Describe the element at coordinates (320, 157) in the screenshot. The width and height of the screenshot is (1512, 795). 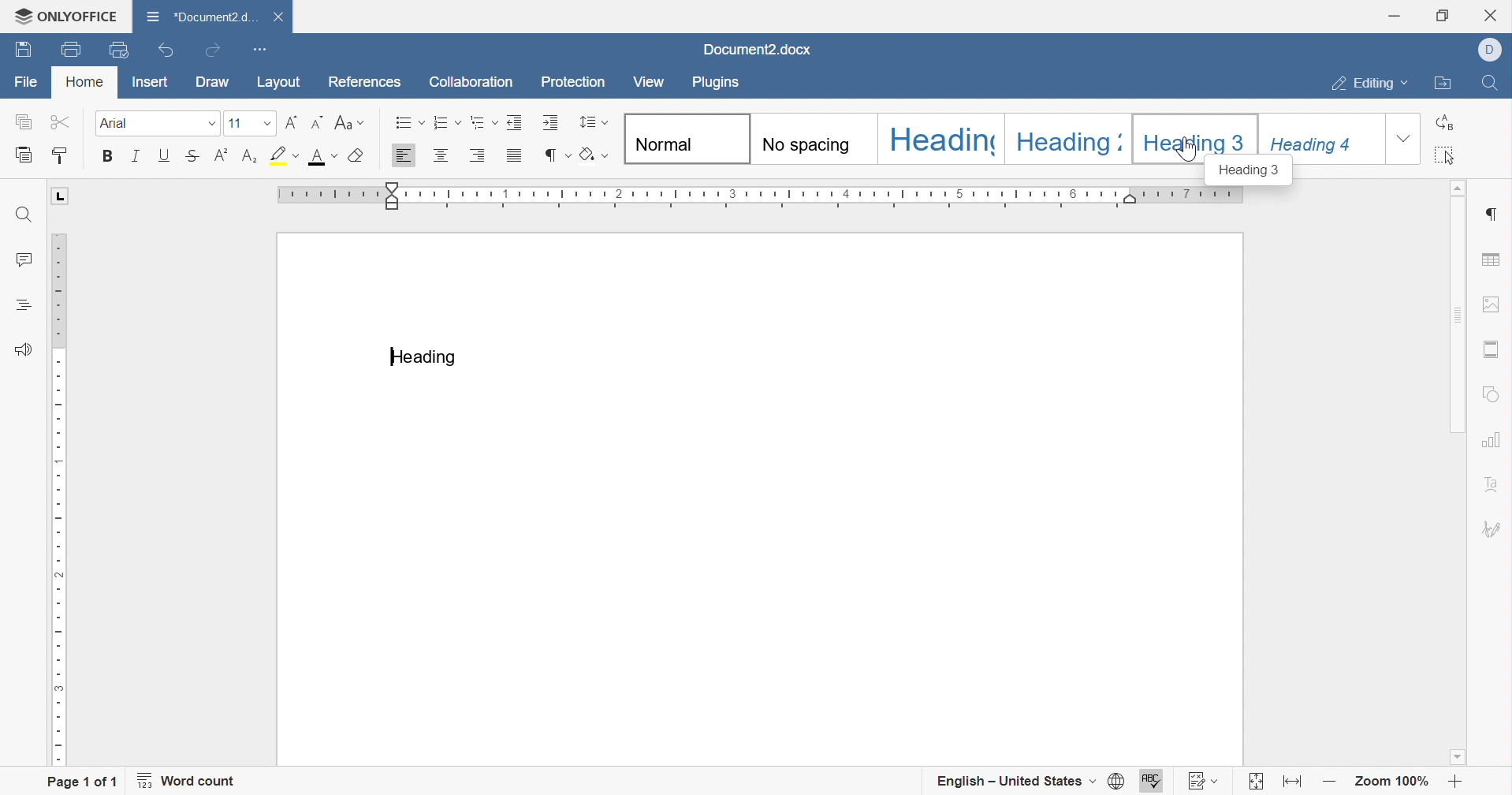
I see `Font color` at that location.